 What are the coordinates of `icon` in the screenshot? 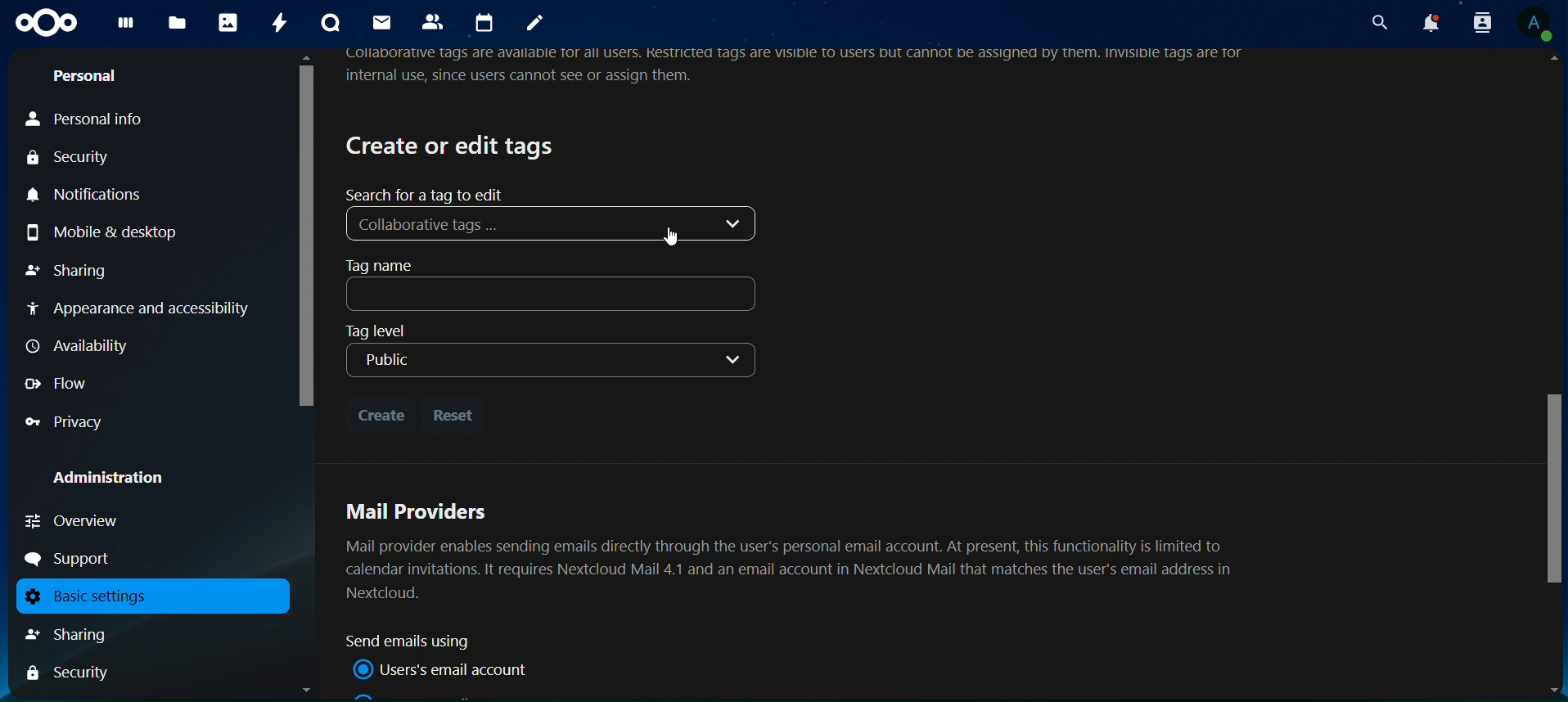 It's located at (47, 23).